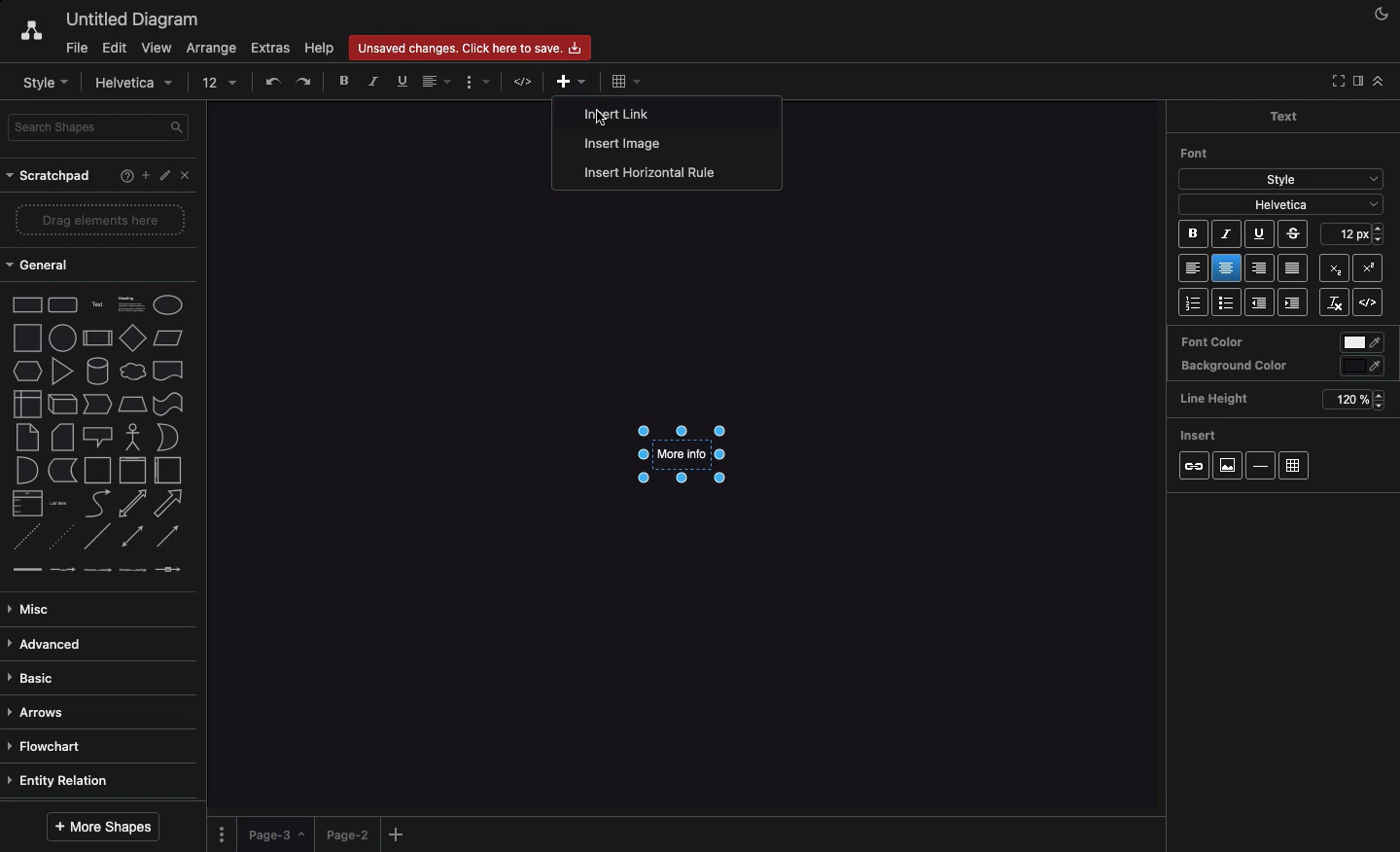 The width and height of the screenshot is (1400, 852). I want to click on Page 3, so click(274, 834).